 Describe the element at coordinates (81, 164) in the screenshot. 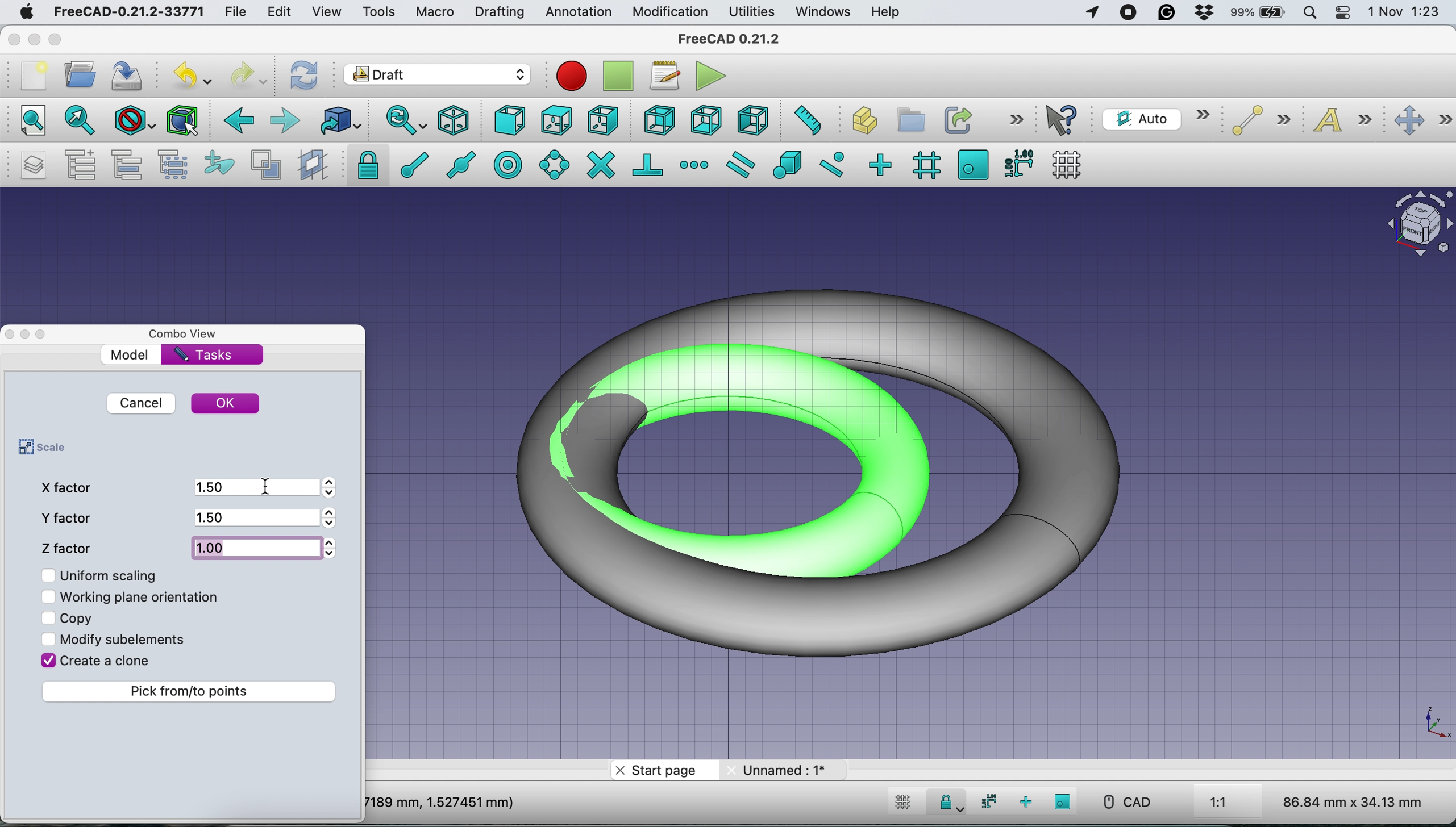

I see `add a new named group` at that location.